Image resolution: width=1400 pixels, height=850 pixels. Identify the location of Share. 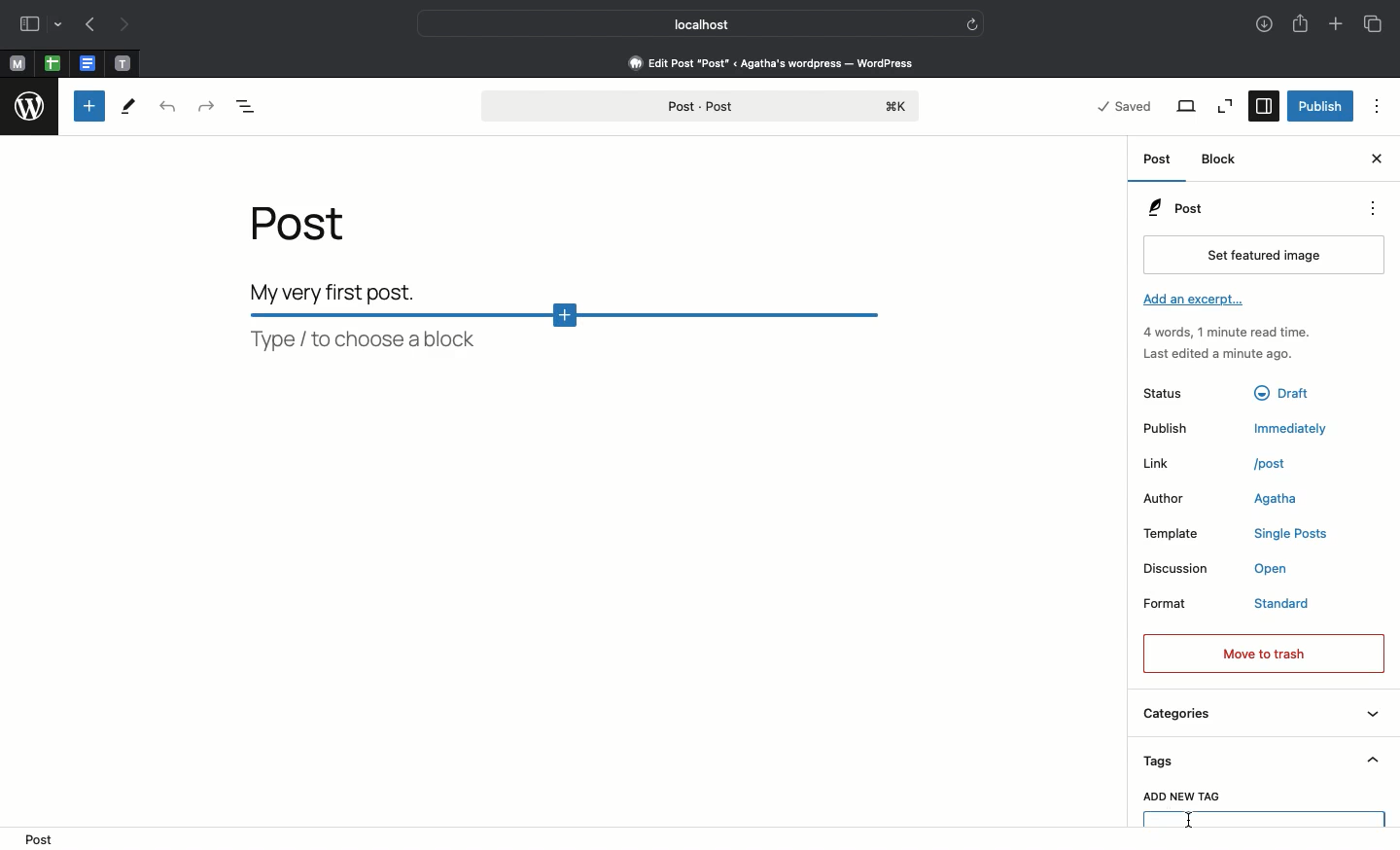
(1300, 25).